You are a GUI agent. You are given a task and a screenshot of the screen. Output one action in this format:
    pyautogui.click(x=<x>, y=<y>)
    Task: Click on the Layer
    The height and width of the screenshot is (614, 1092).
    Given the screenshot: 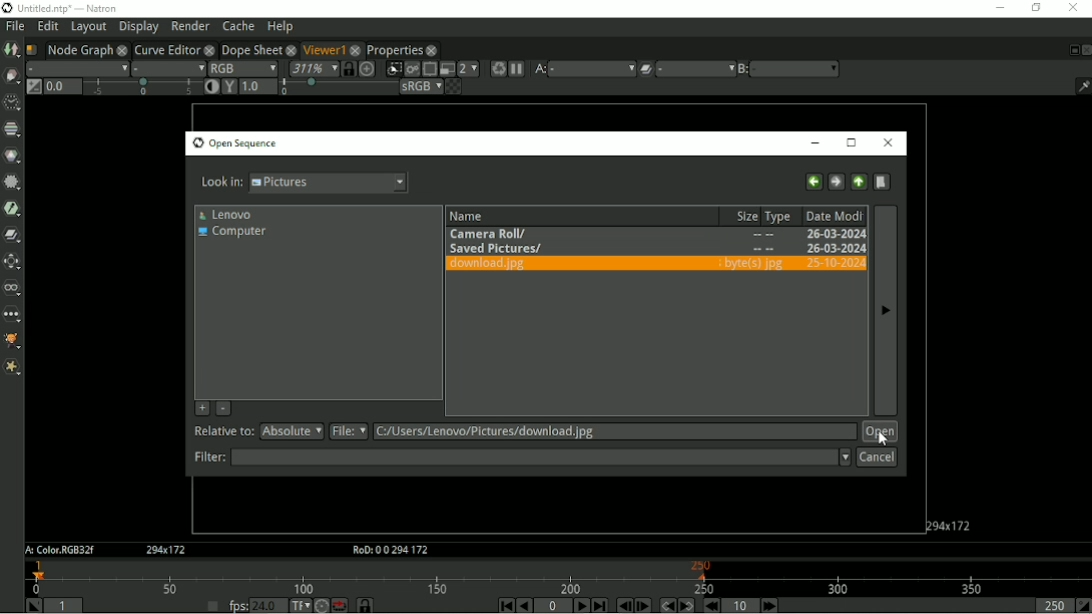 What is the action you would take?
    pyautogui.click(x=76, y=68)
    